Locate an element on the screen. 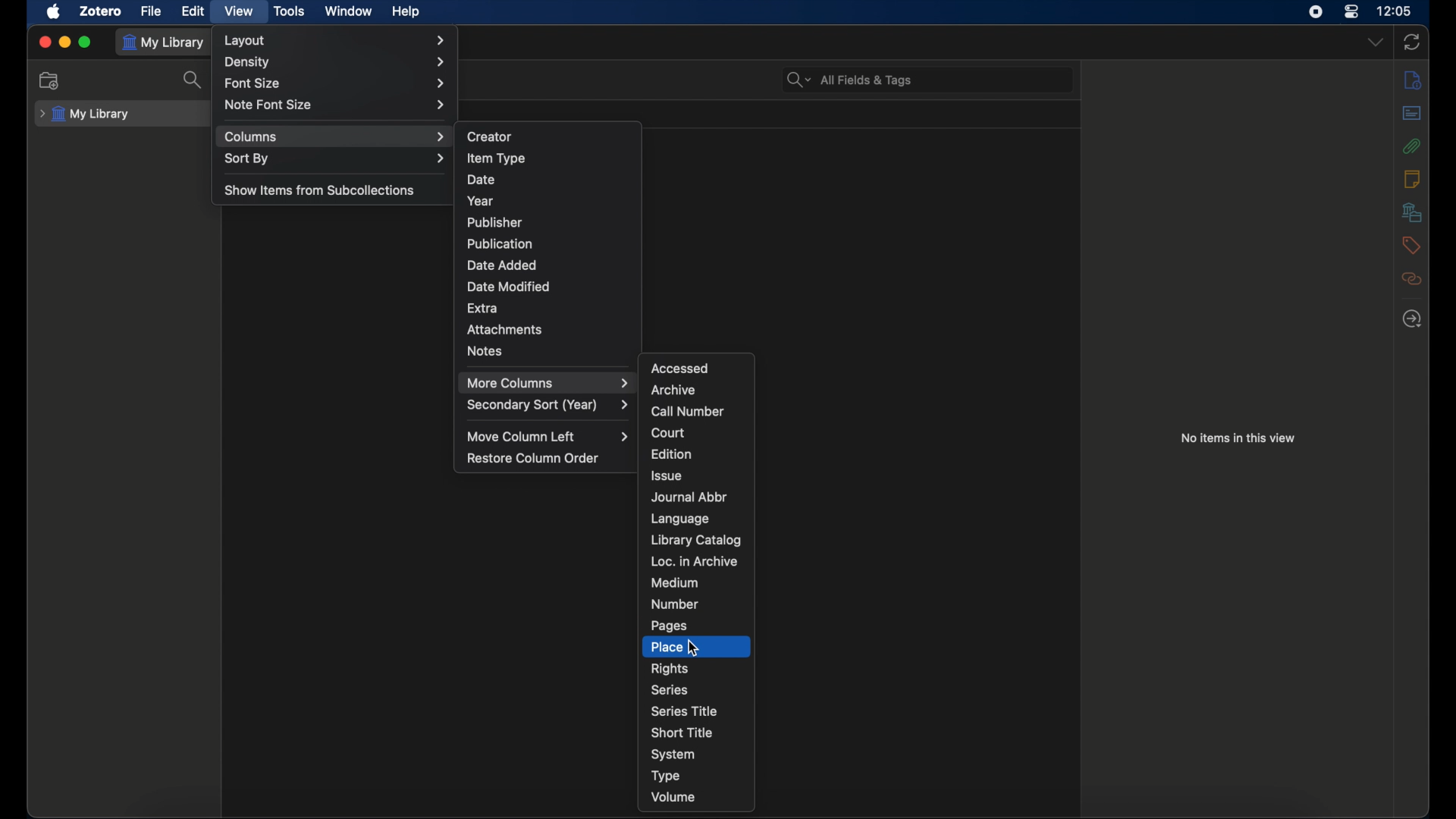  file is located at coordinates (150, 11).